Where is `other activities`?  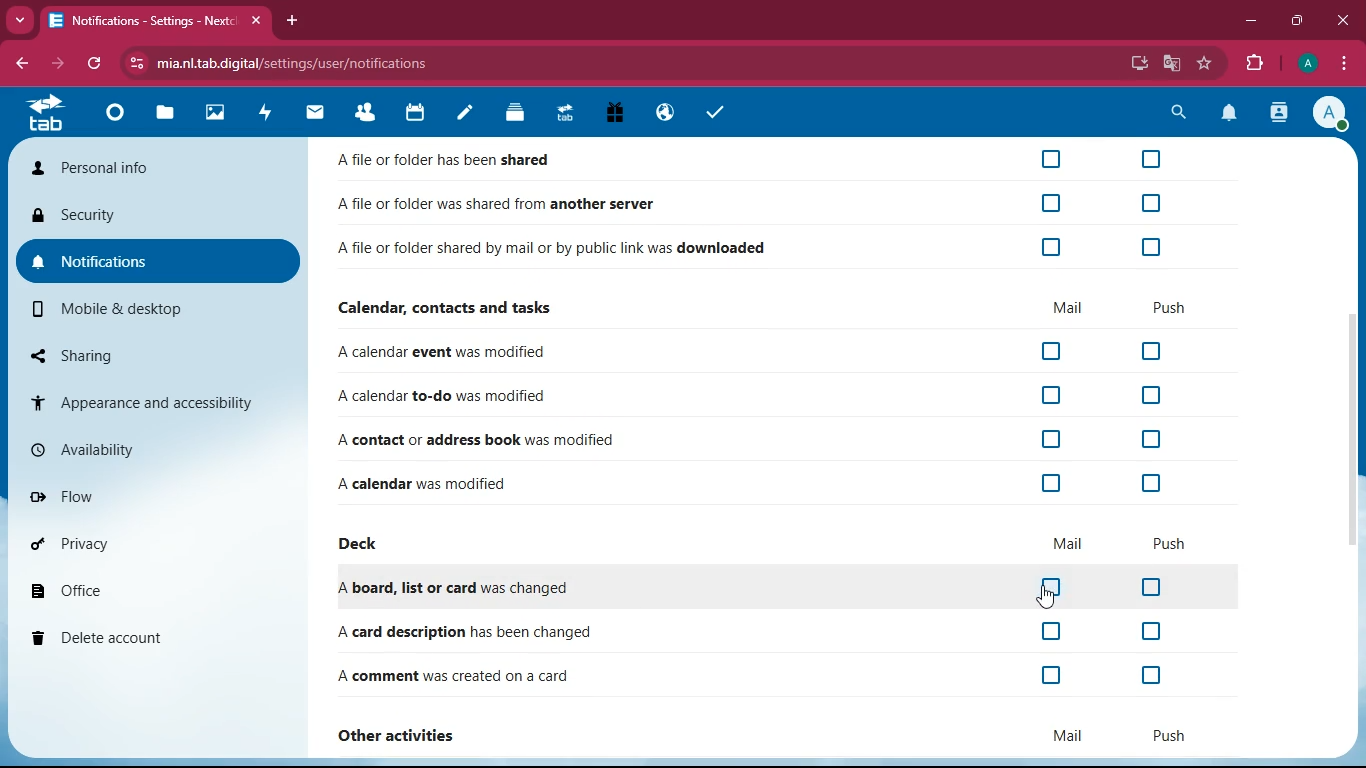
other activities is located at coordinates (406, 732).